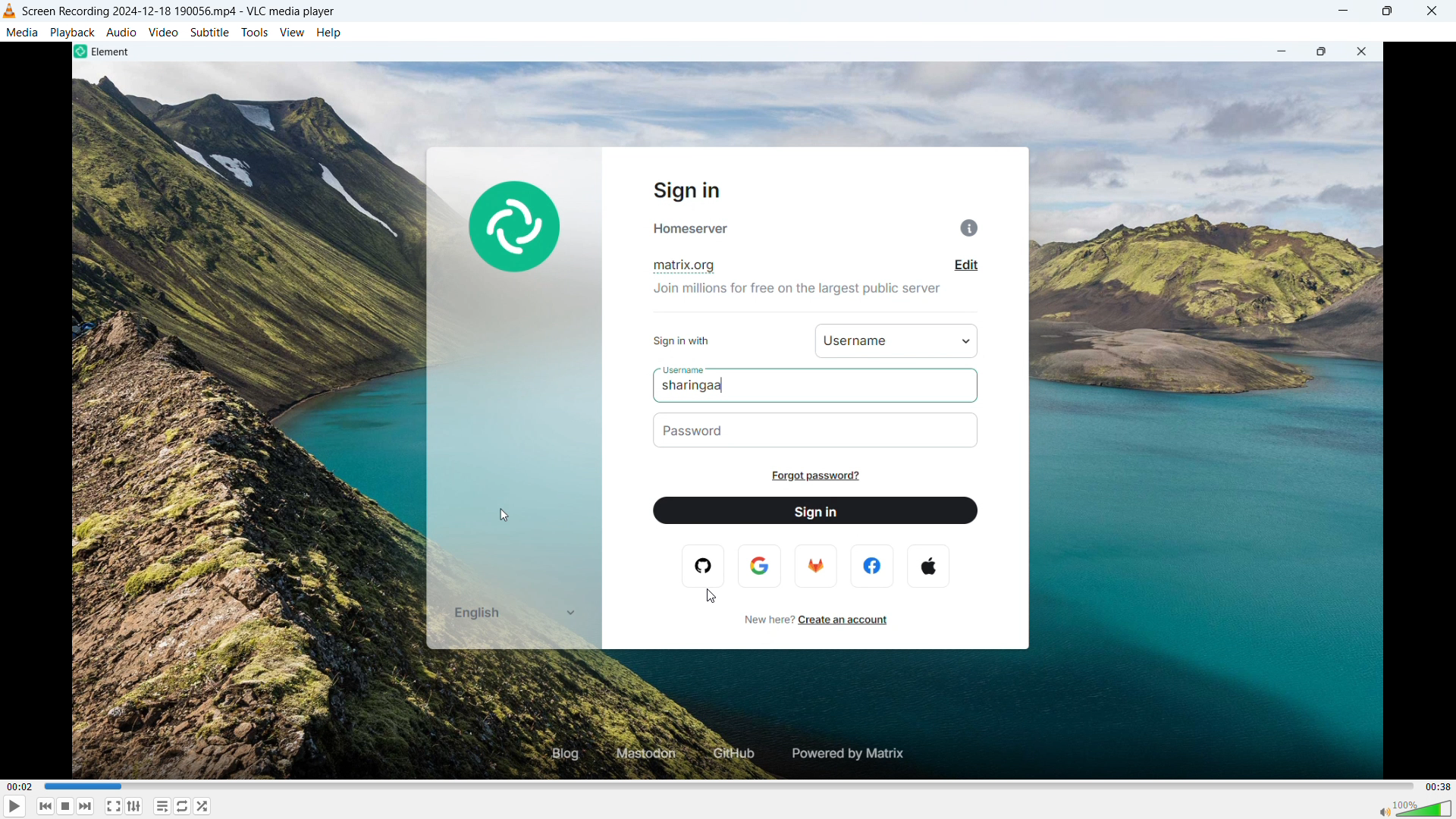 The width and height of the screenshot is (1456, 819). Describe the element at coordinates (1439, 787) in the screenshot. I see `video duration` at that location.